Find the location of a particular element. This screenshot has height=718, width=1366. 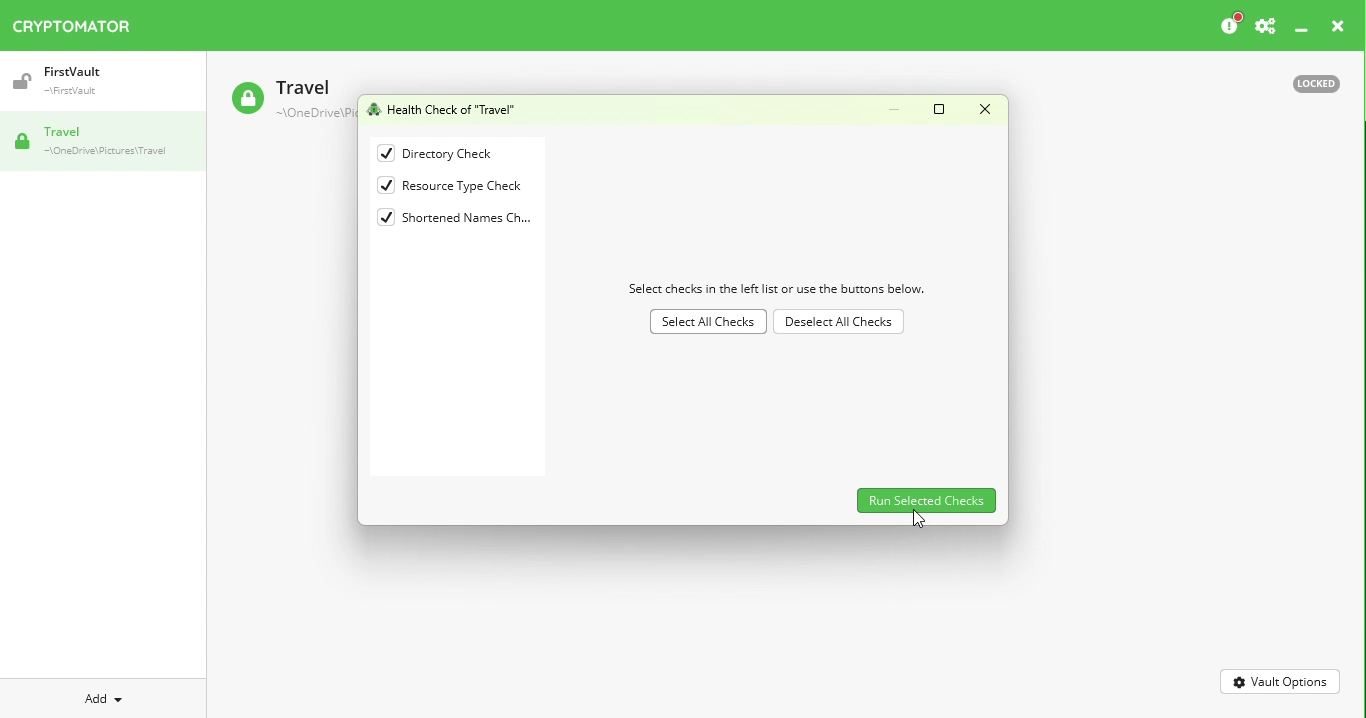

Settings is located at coordinates (1267, 26).